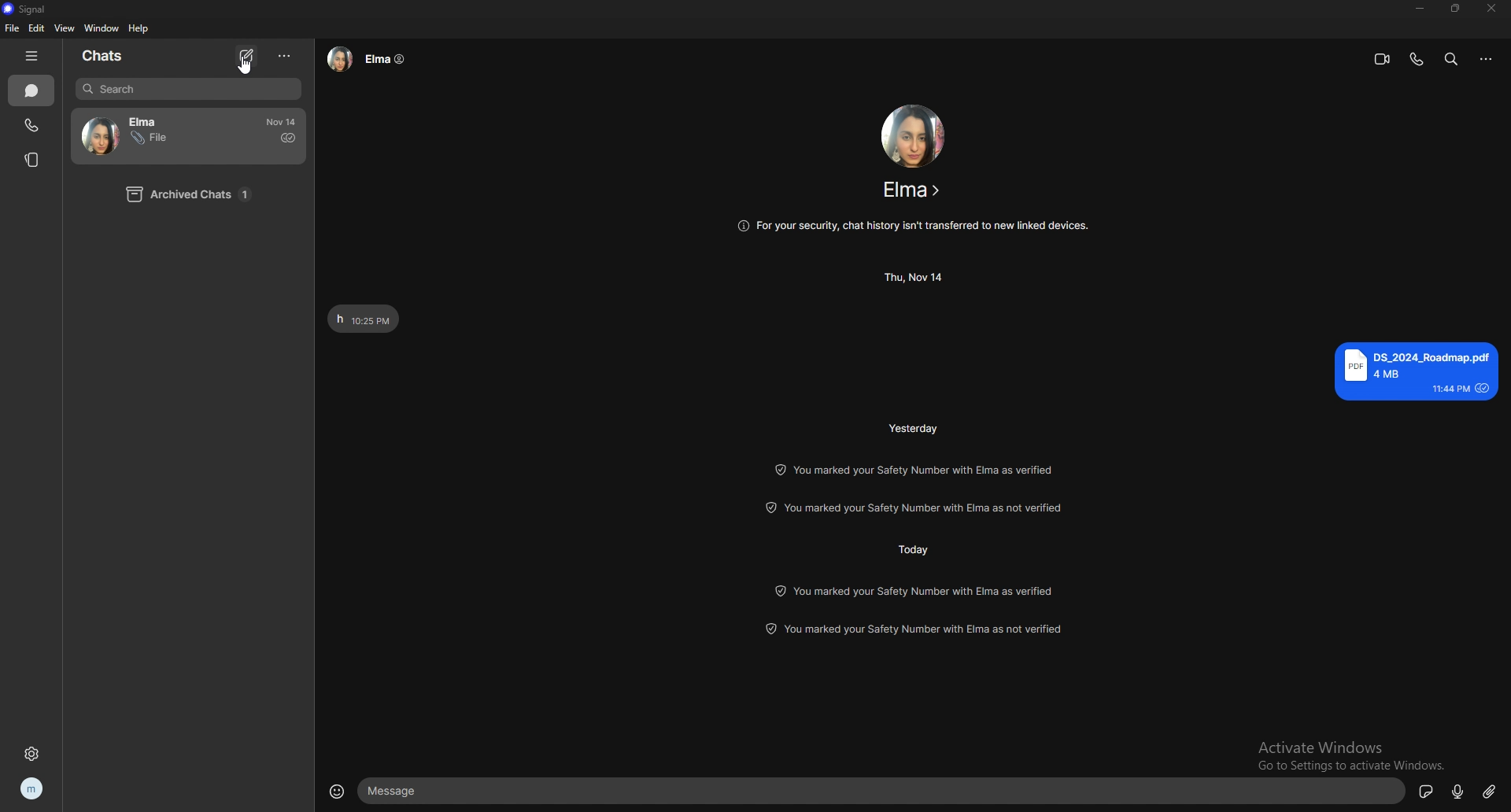  I want to click on chats, so click(31, 90).